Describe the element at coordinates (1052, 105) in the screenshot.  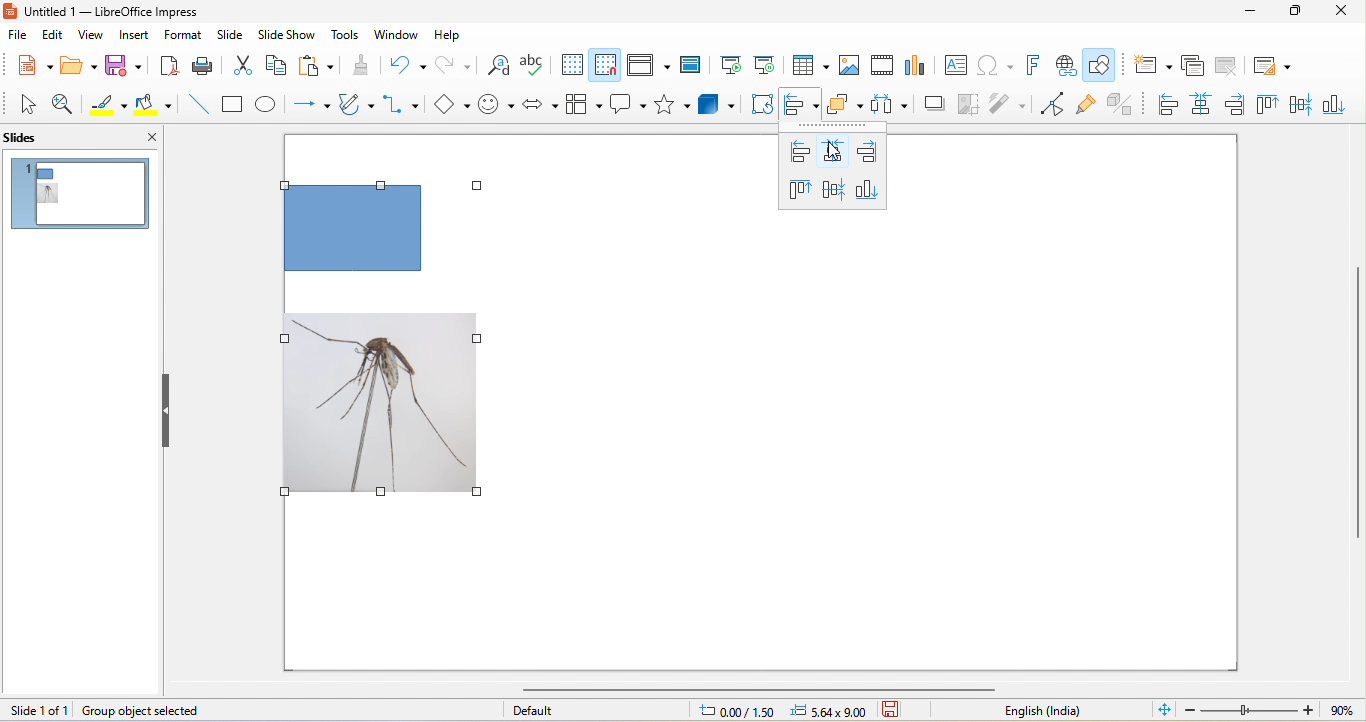
I see `point edit mode` at that location.